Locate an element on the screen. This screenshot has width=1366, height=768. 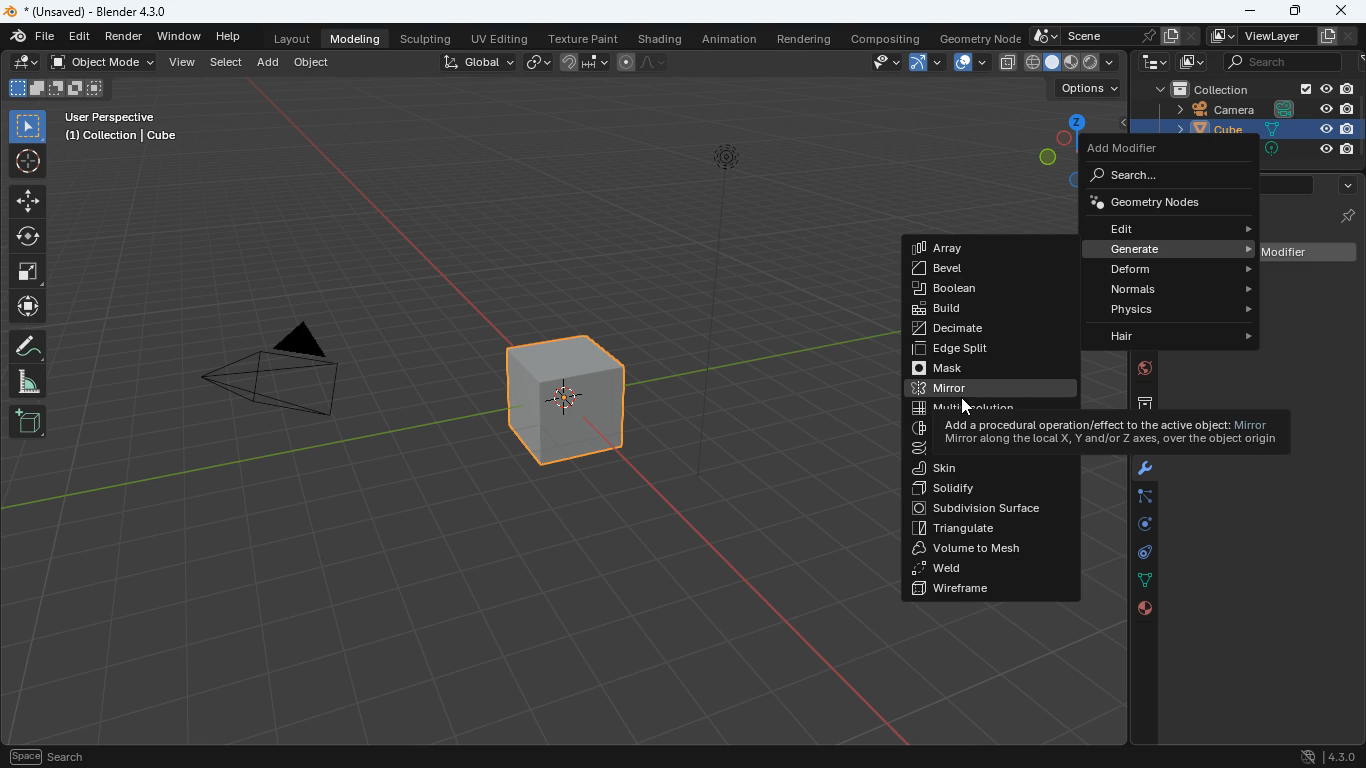
edge is located at coordinates (1135, 500).